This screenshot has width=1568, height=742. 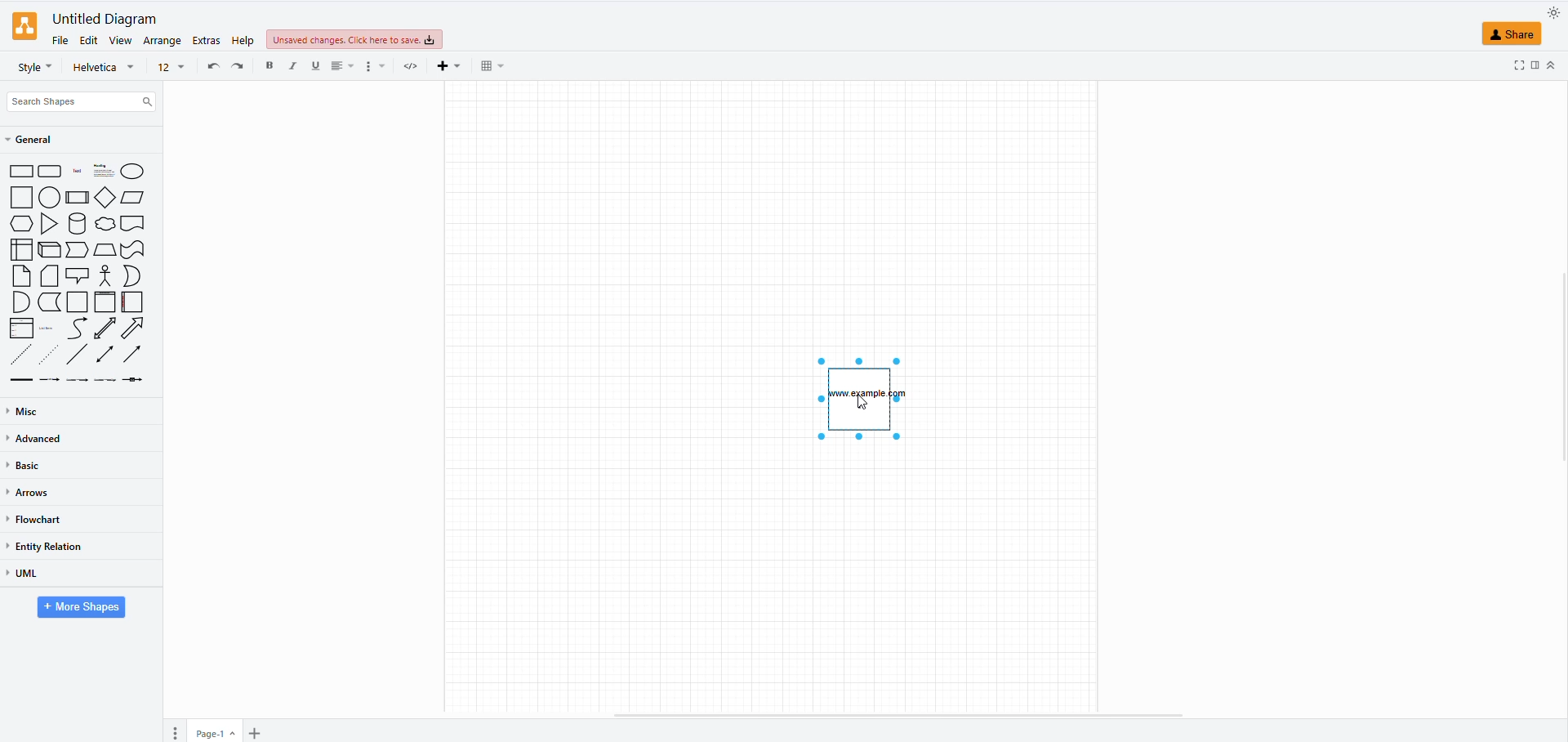 What do you see at coordinates (132, 275) in the screenshot?
I see `Or` at bounding box center [132, 275].